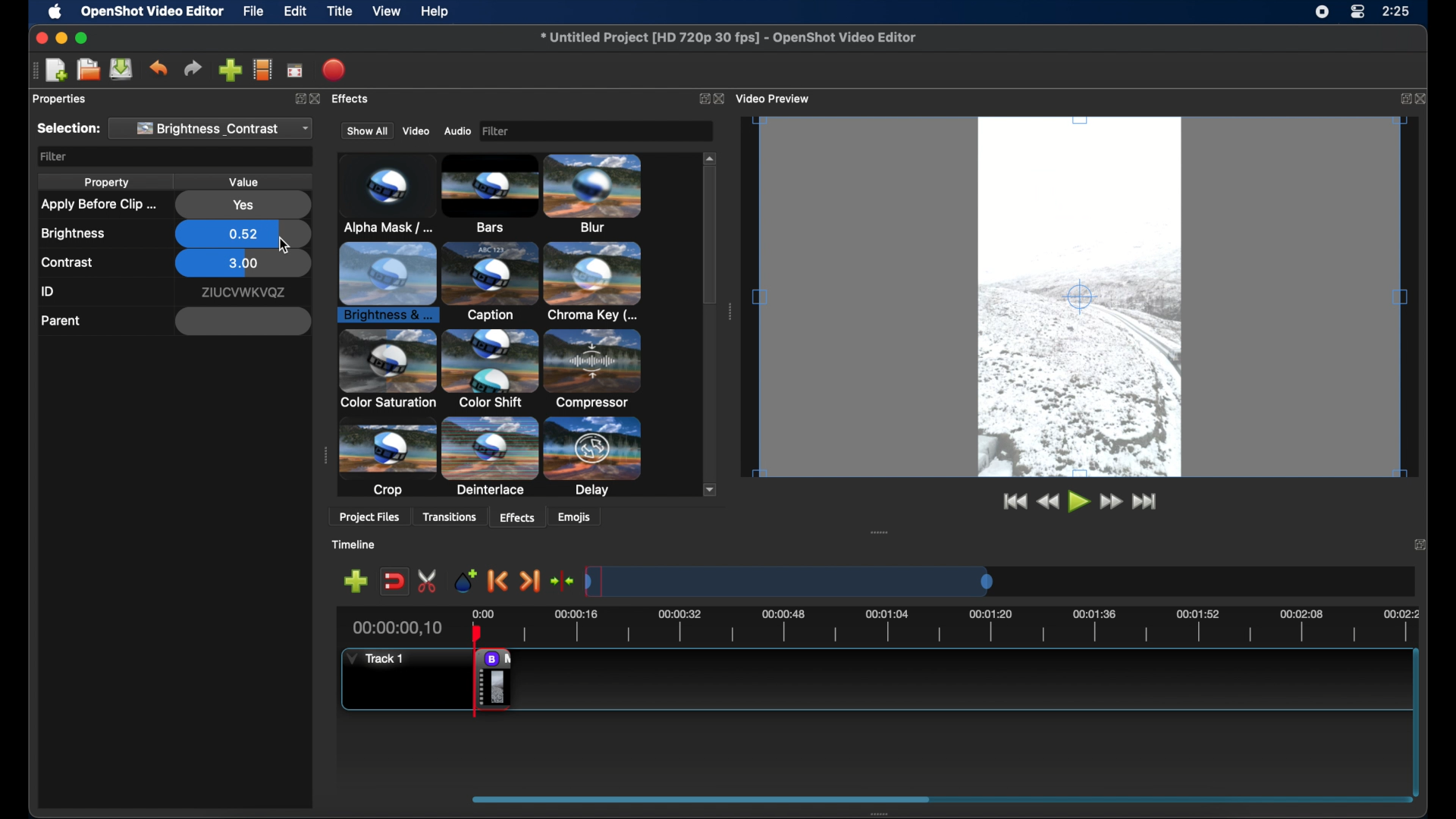 This screenshot has height=819, width=1456. I want to click on , so click(318, 97).